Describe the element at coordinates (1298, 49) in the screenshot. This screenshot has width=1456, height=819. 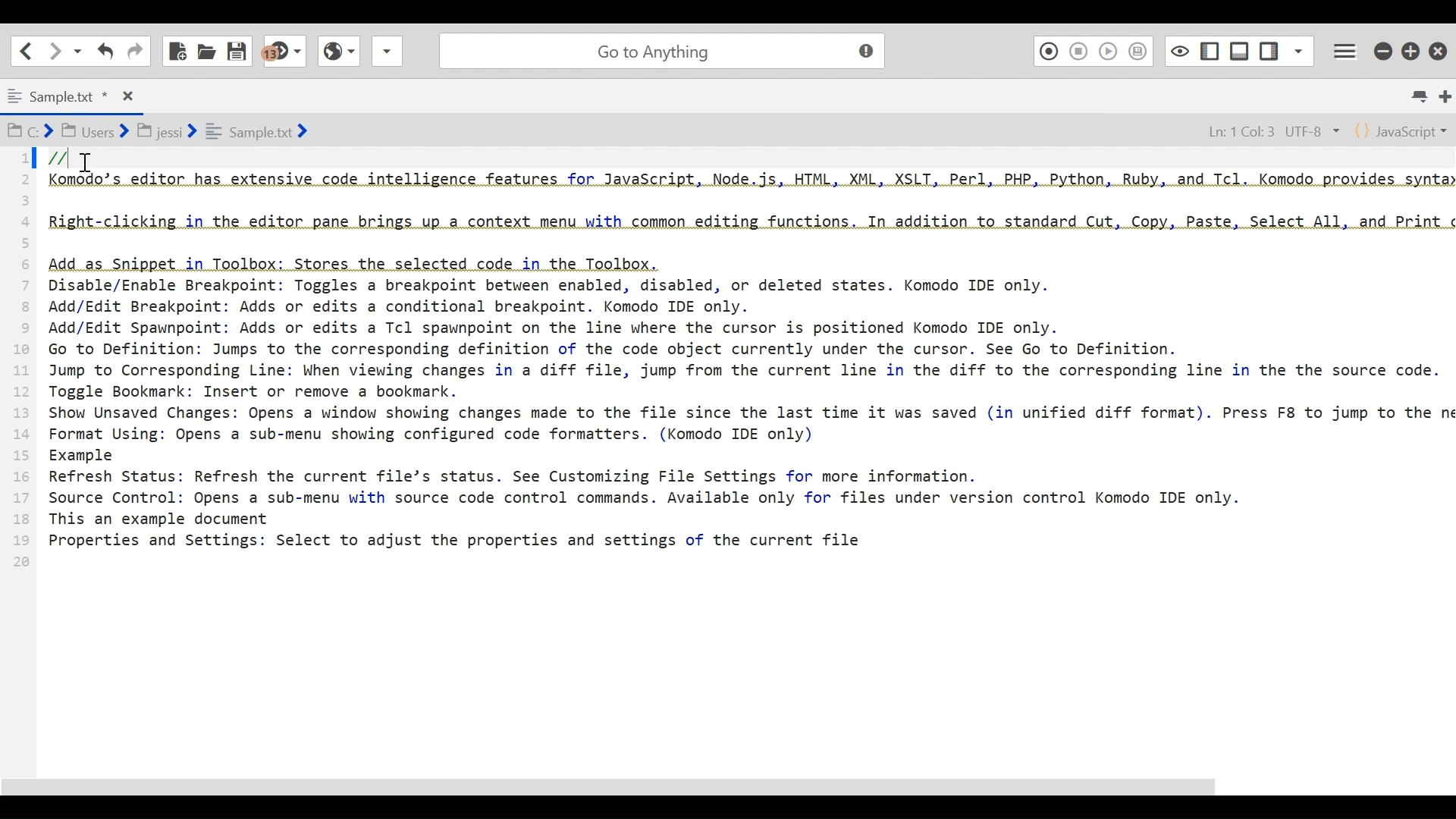
I see `Show specific sidebar` at that location.